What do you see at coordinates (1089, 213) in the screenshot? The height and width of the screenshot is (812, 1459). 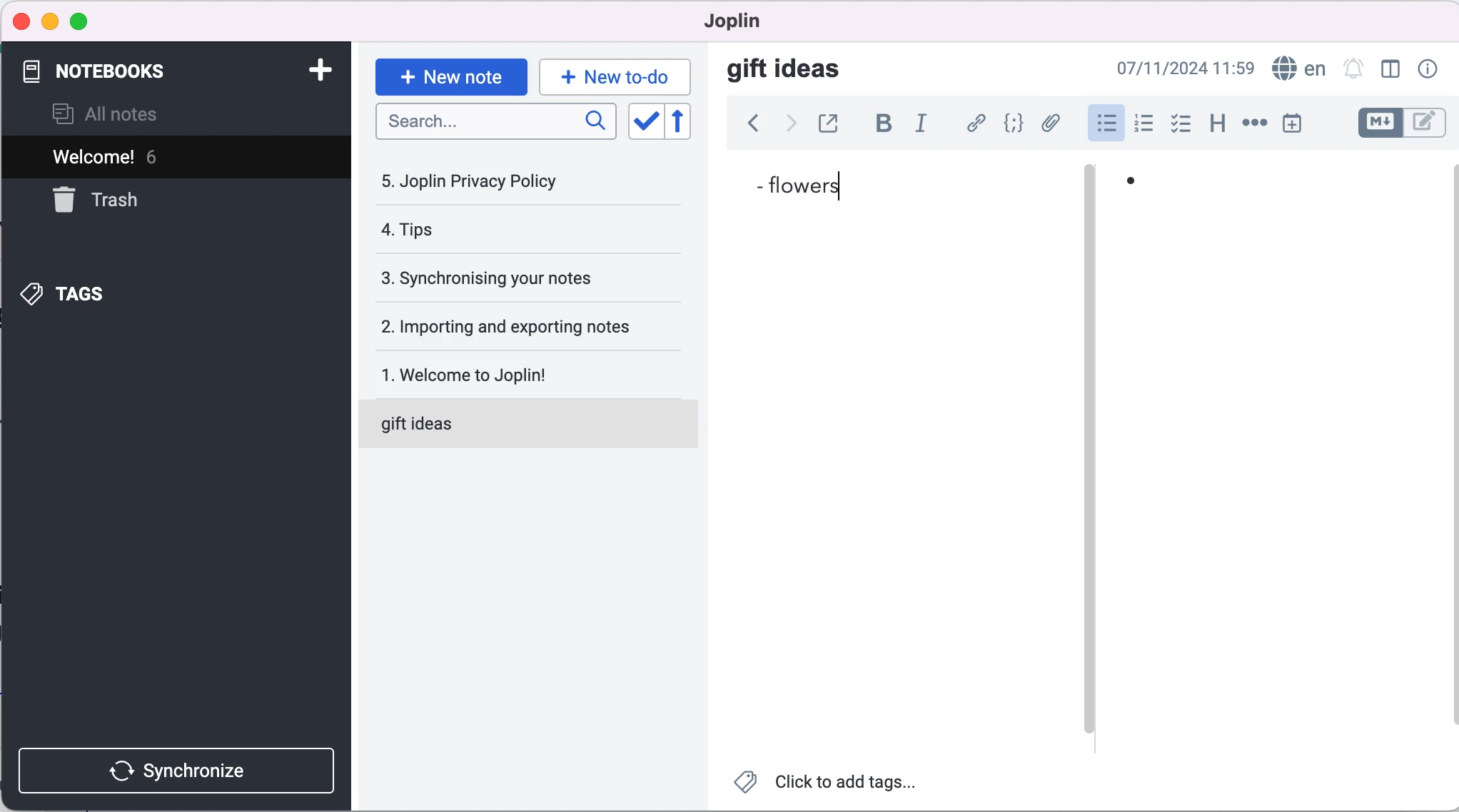 I see `vertical slider` at bounding box center [1089, 213].